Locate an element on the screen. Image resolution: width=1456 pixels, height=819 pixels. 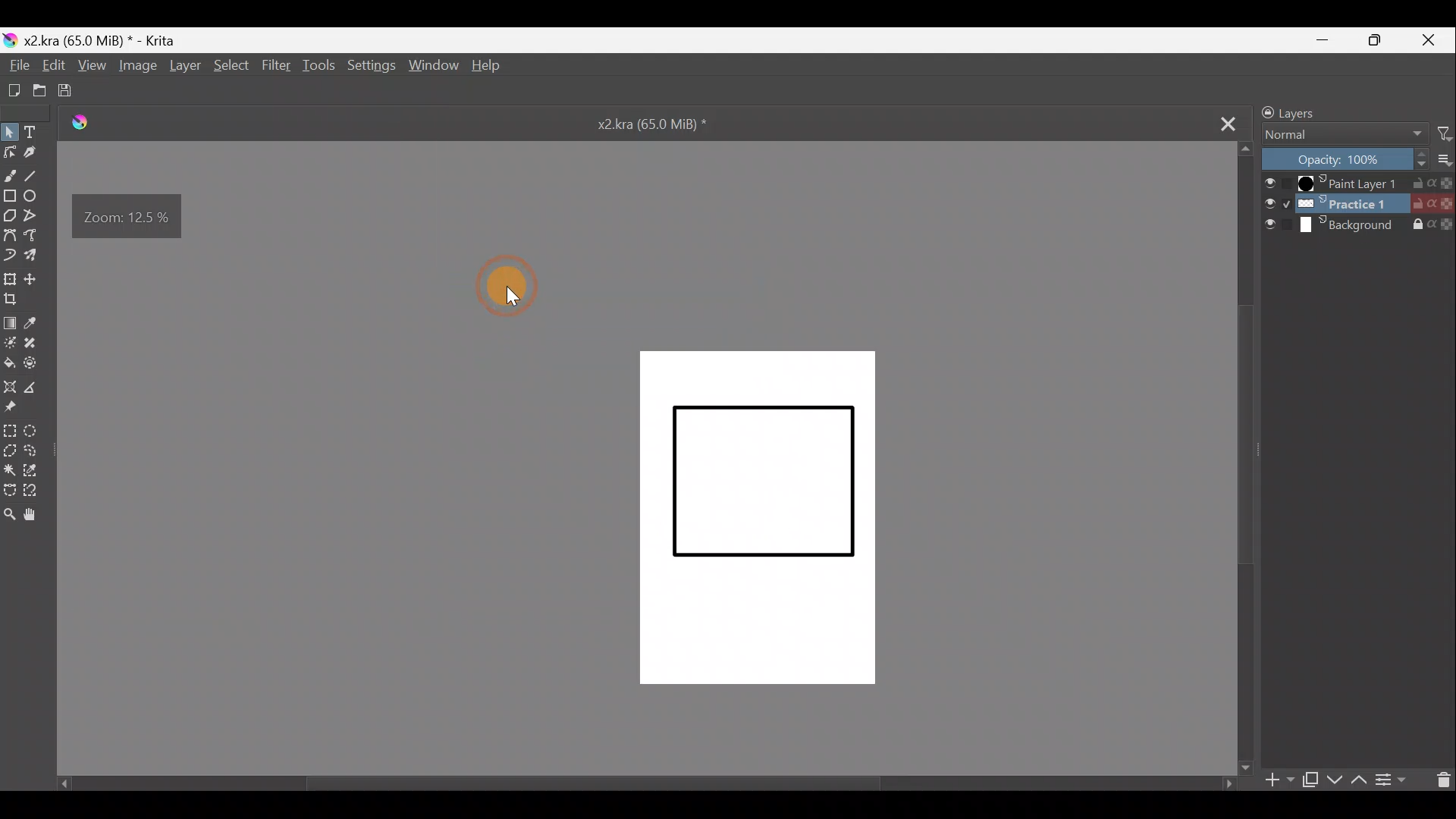
Image is located at coordinates (136, 66).